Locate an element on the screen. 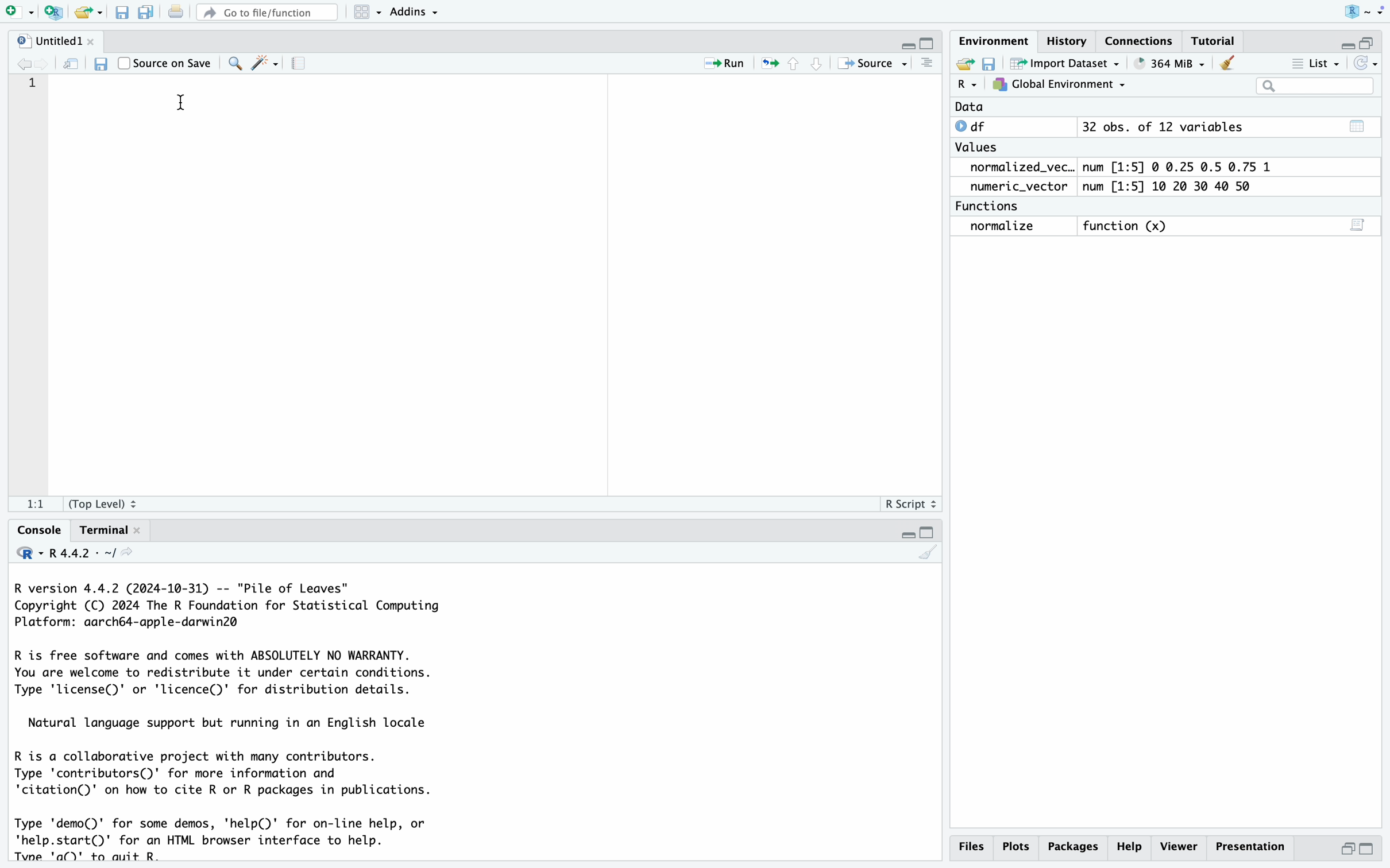 This screenshot has width=1390, height=868. Normalize is located at coordinates (1004, 227).